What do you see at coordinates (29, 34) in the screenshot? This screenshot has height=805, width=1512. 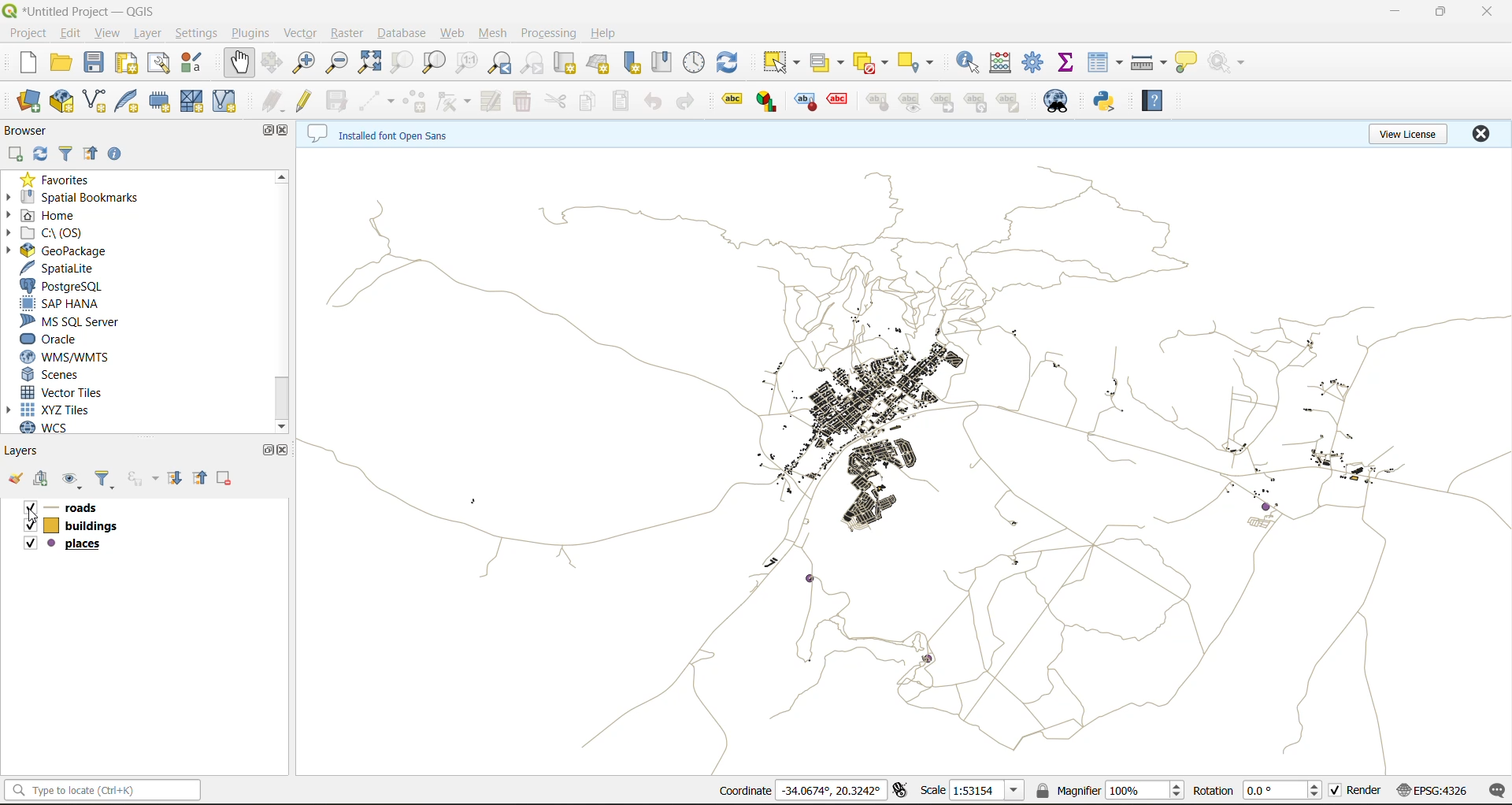 I see `project` at bounding box center [29, 34].